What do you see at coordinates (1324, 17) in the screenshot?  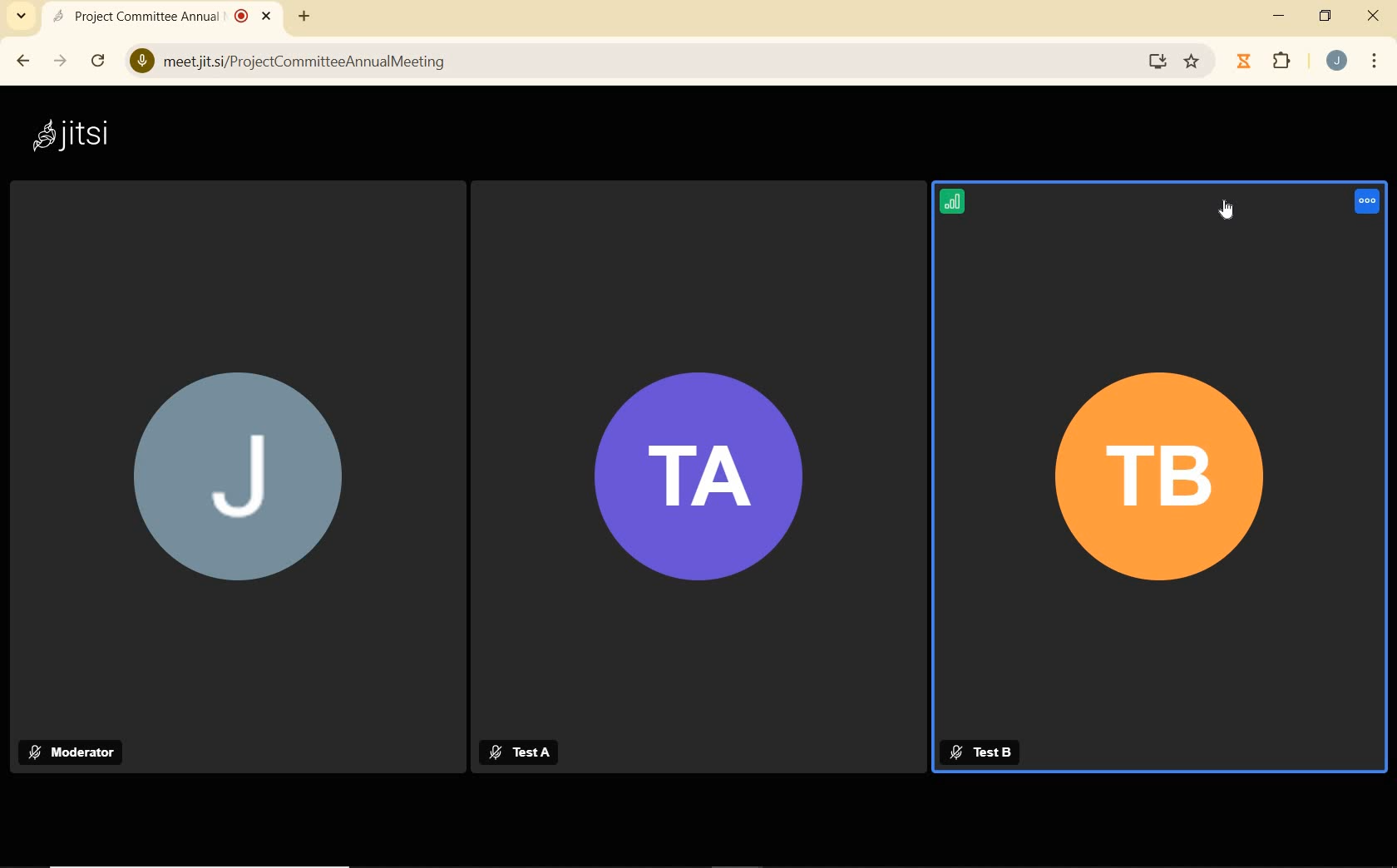 I see `RESTORE` at bounding box center [1324, 17].